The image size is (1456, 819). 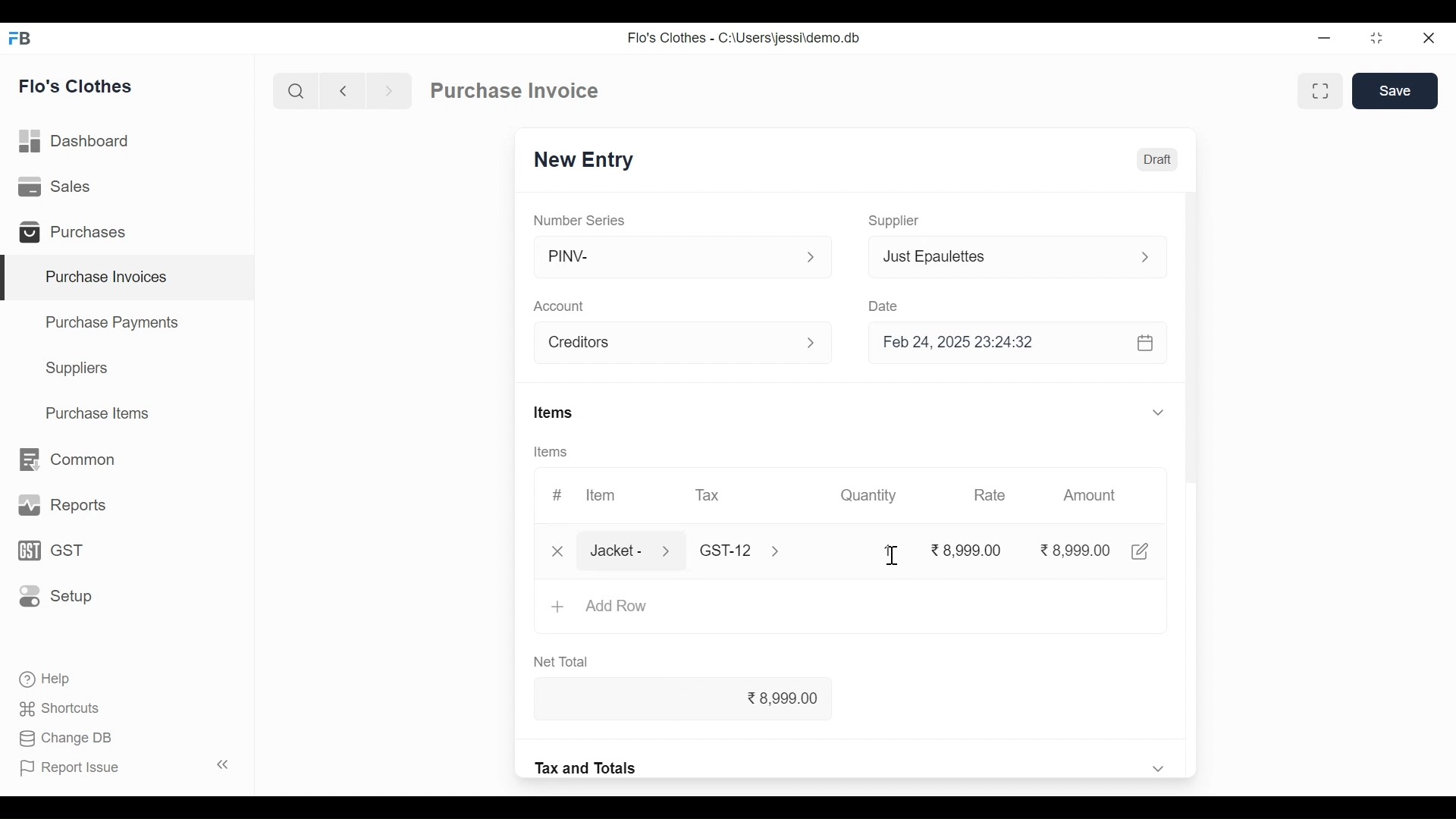 What do you see at coordinates (1074, 550) in the screenshot?
I see `8,999.00` at bounding box center [1074, 550].